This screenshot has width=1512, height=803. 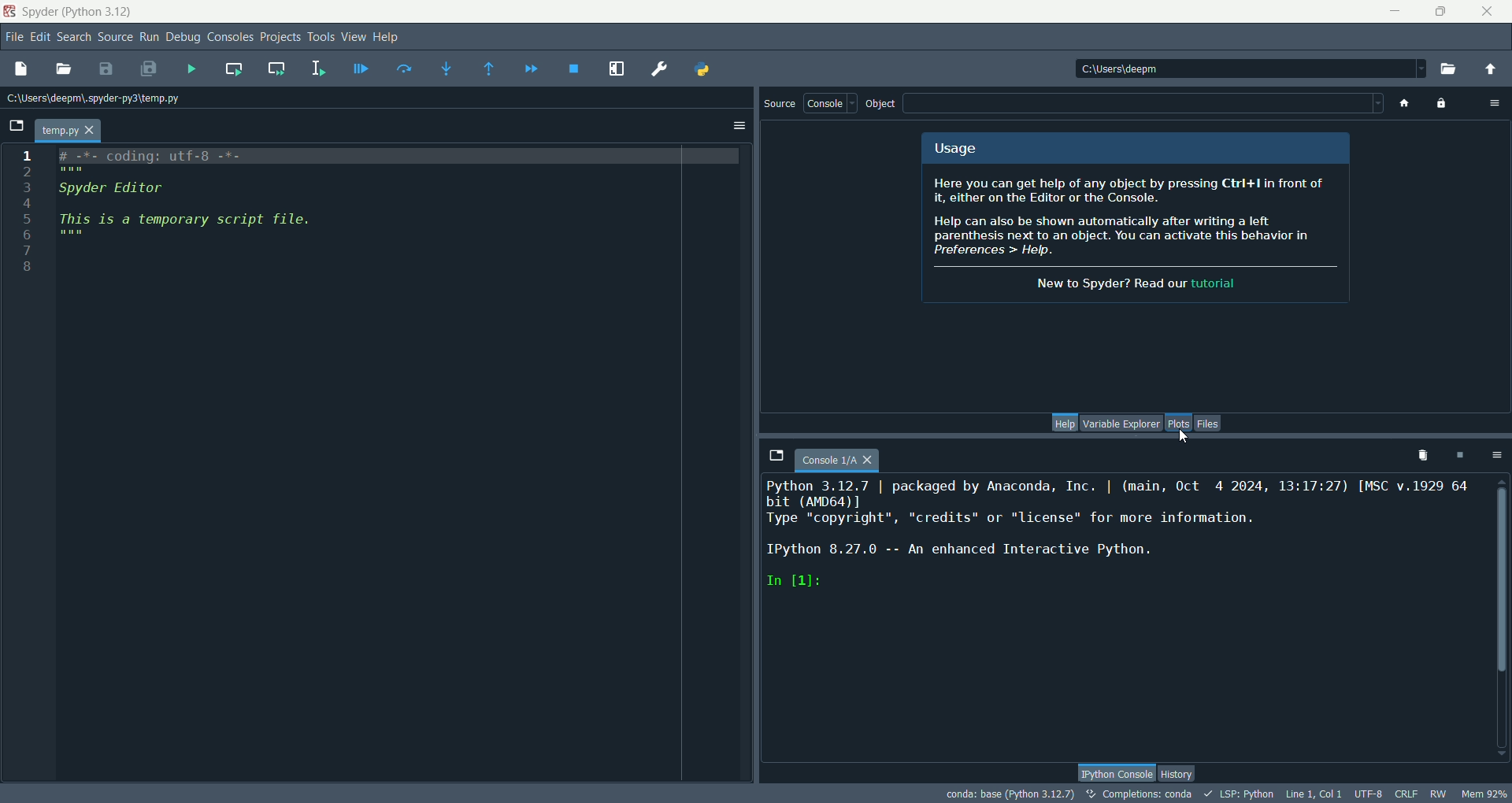 I want to click on run selection, so click(x=324, y=68).